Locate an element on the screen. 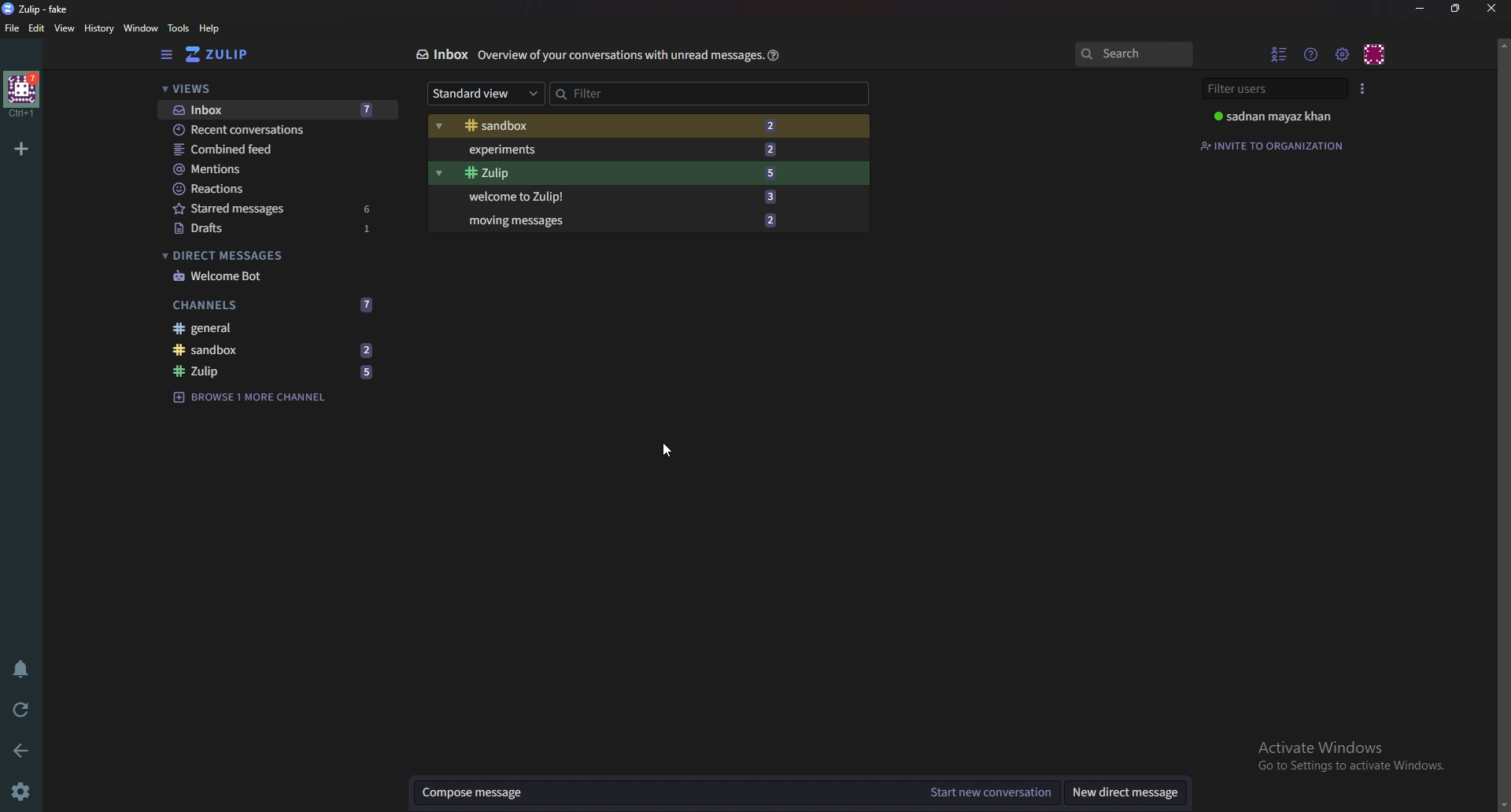  Tools is located at coordinates (179, 28).